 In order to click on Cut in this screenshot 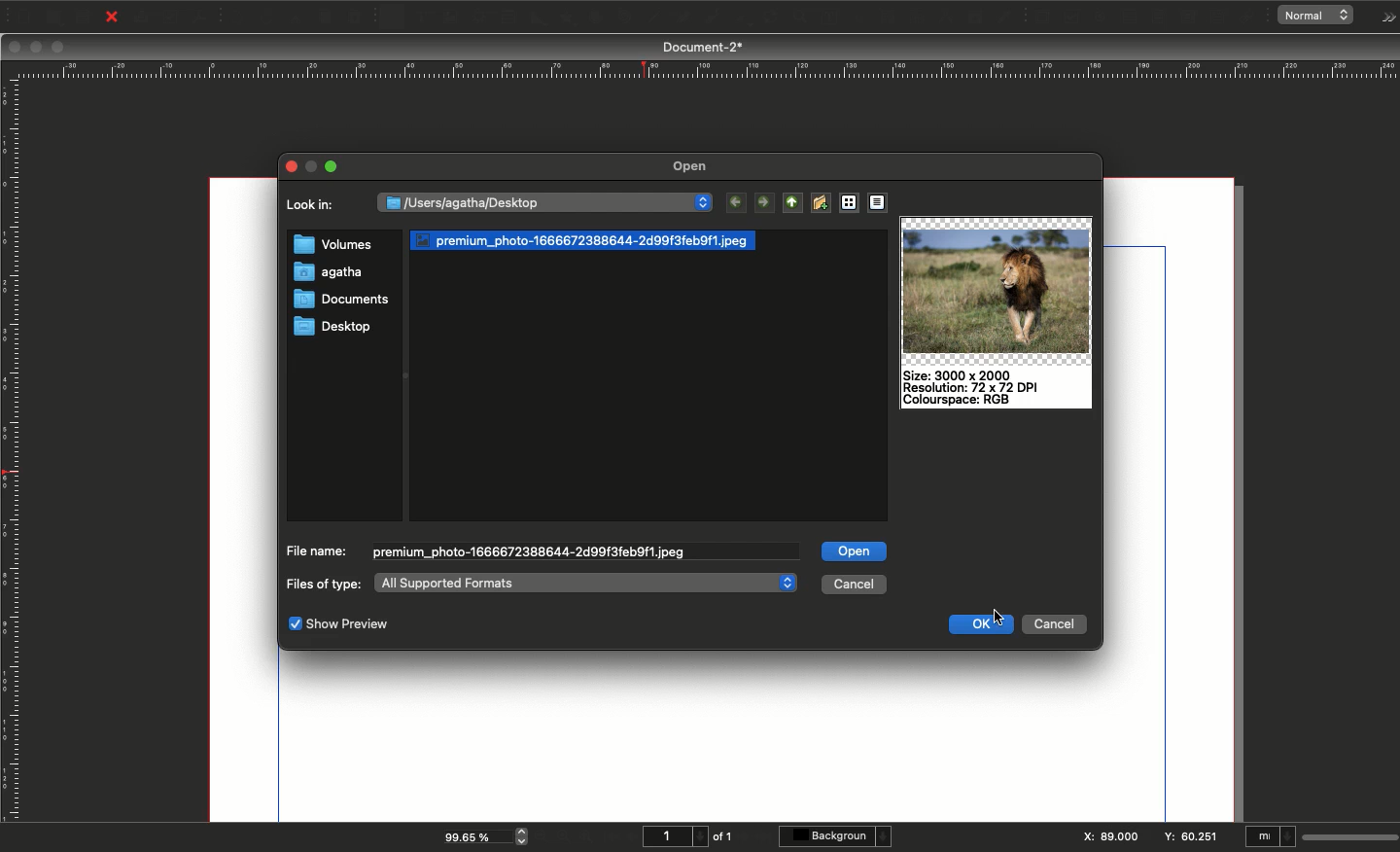, I will do `click(296, 18)`.